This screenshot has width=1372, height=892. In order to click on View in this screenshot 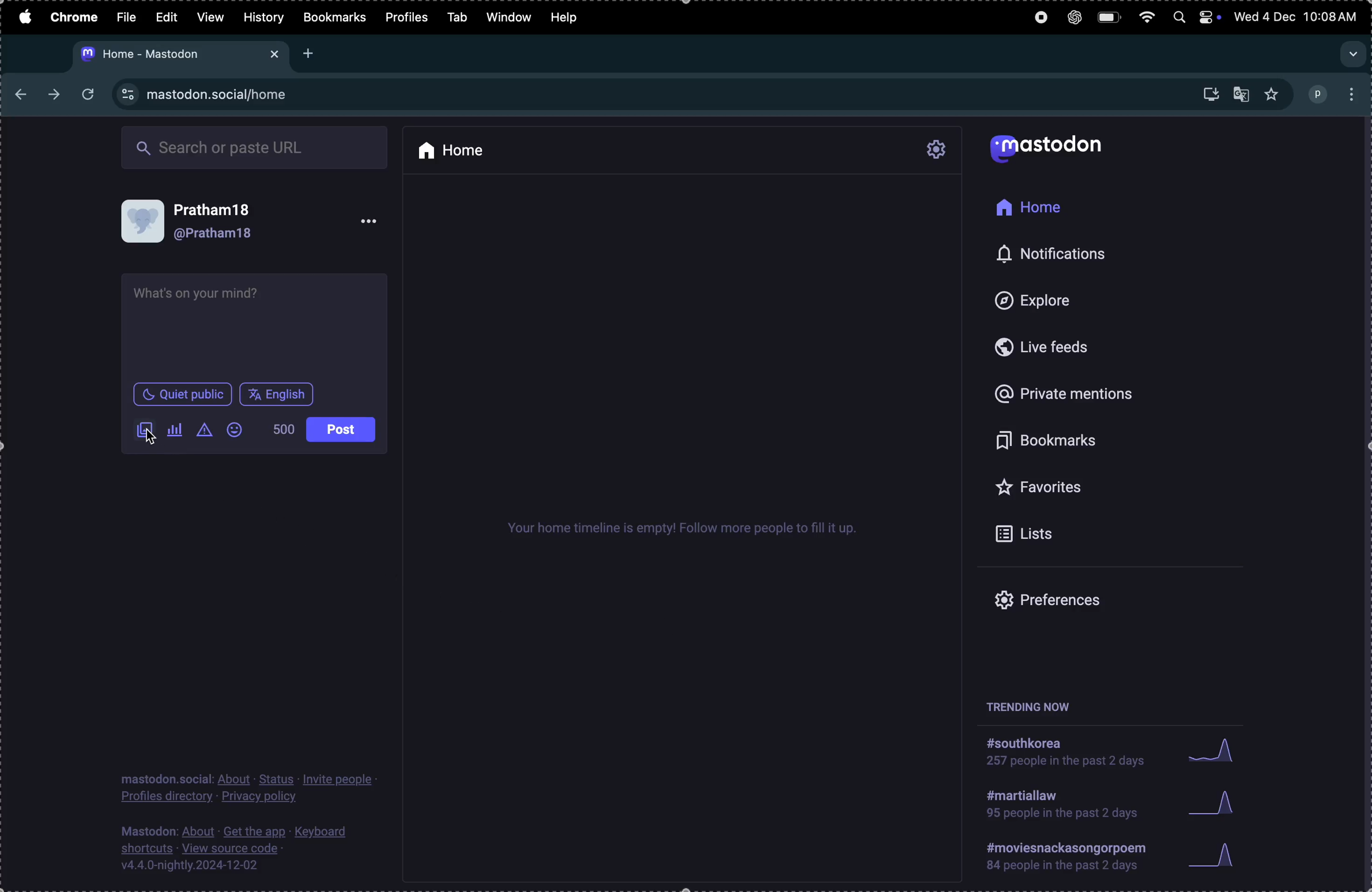, I will do `click(209, 17)`.